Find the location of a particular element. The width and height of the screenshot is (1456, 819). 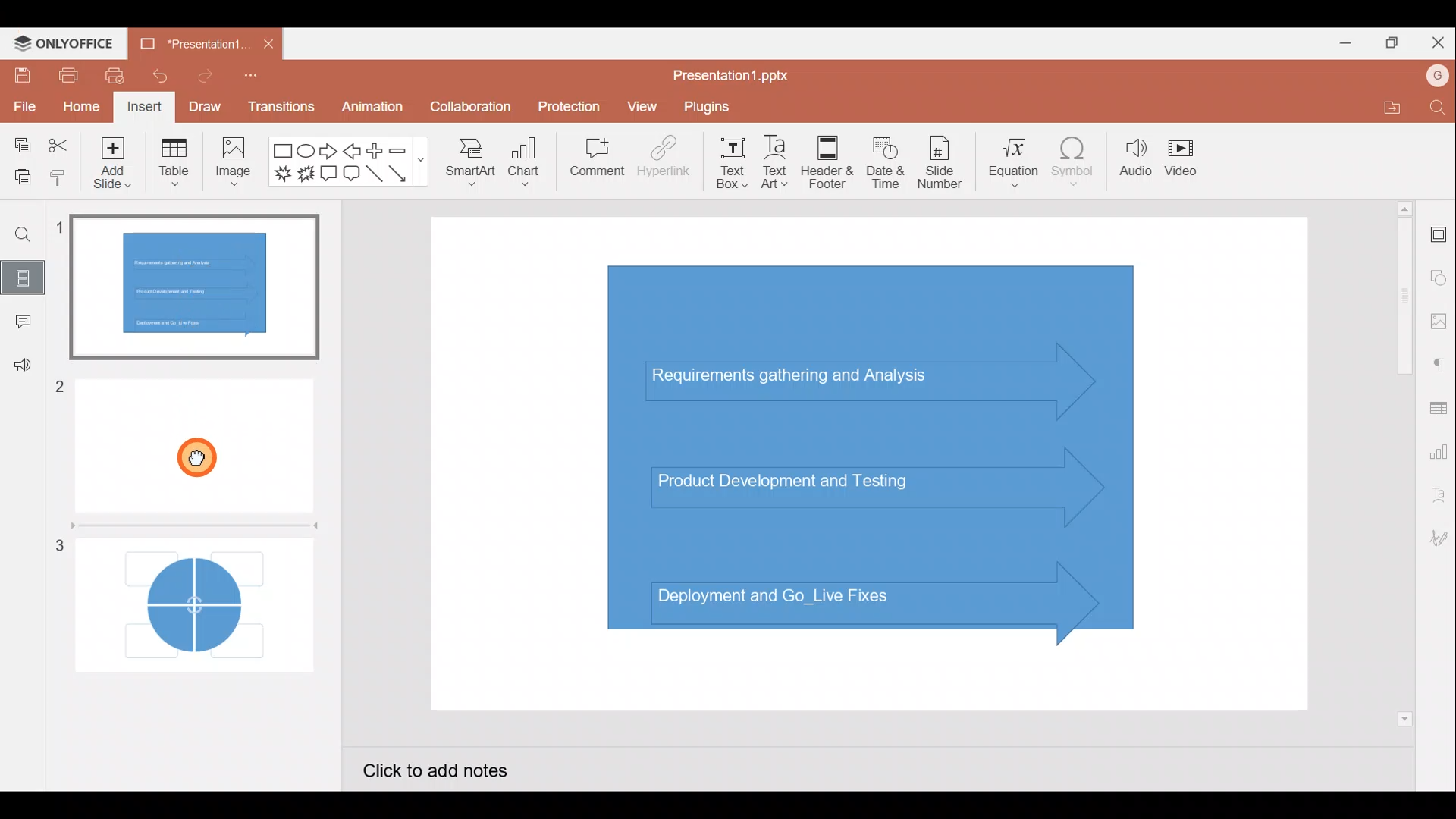

Open file location is located at coordinates (1382, 107).